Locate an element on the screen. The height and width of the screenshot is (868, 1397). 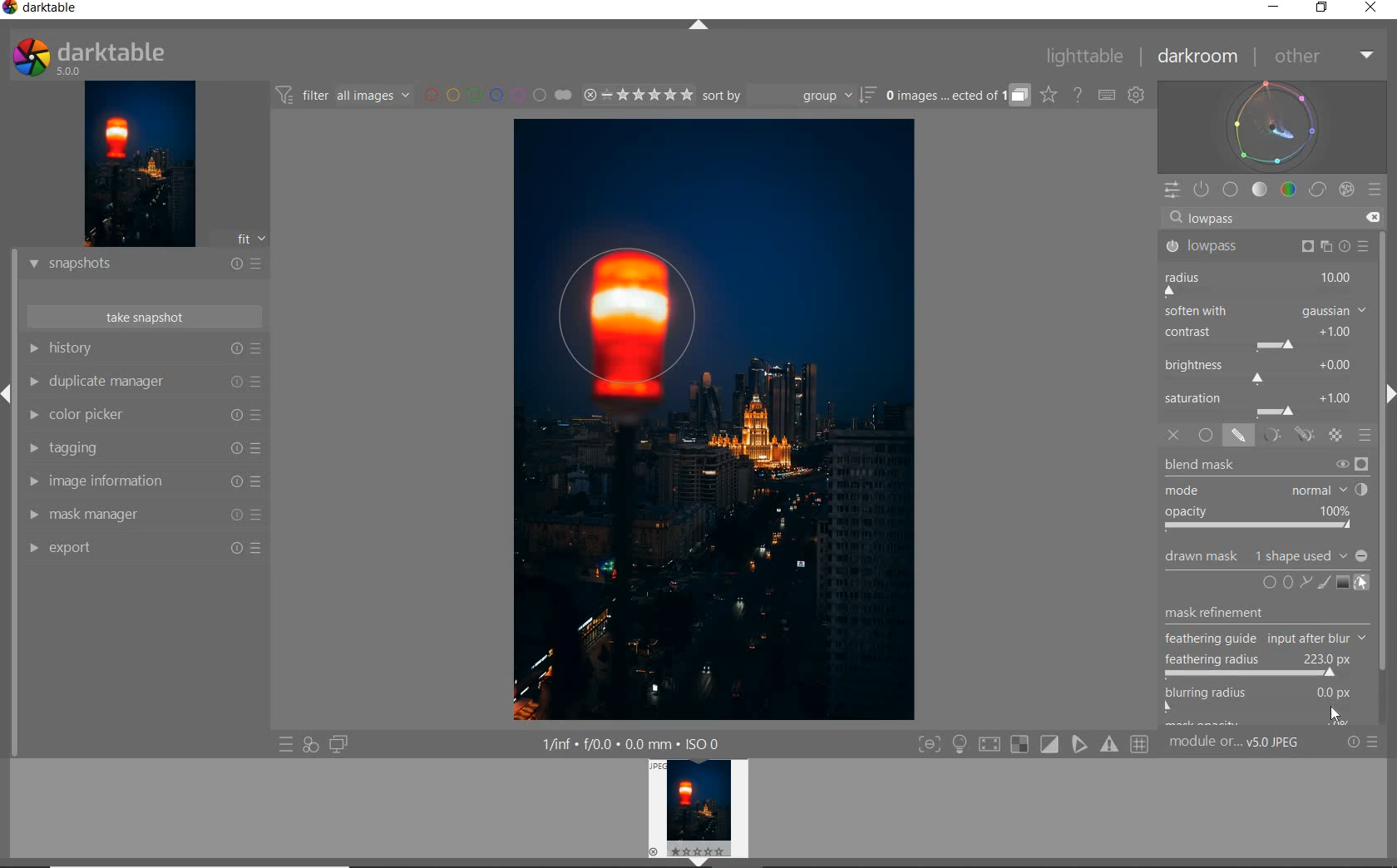
DARKROOM is located at coordinates (1201, 57).